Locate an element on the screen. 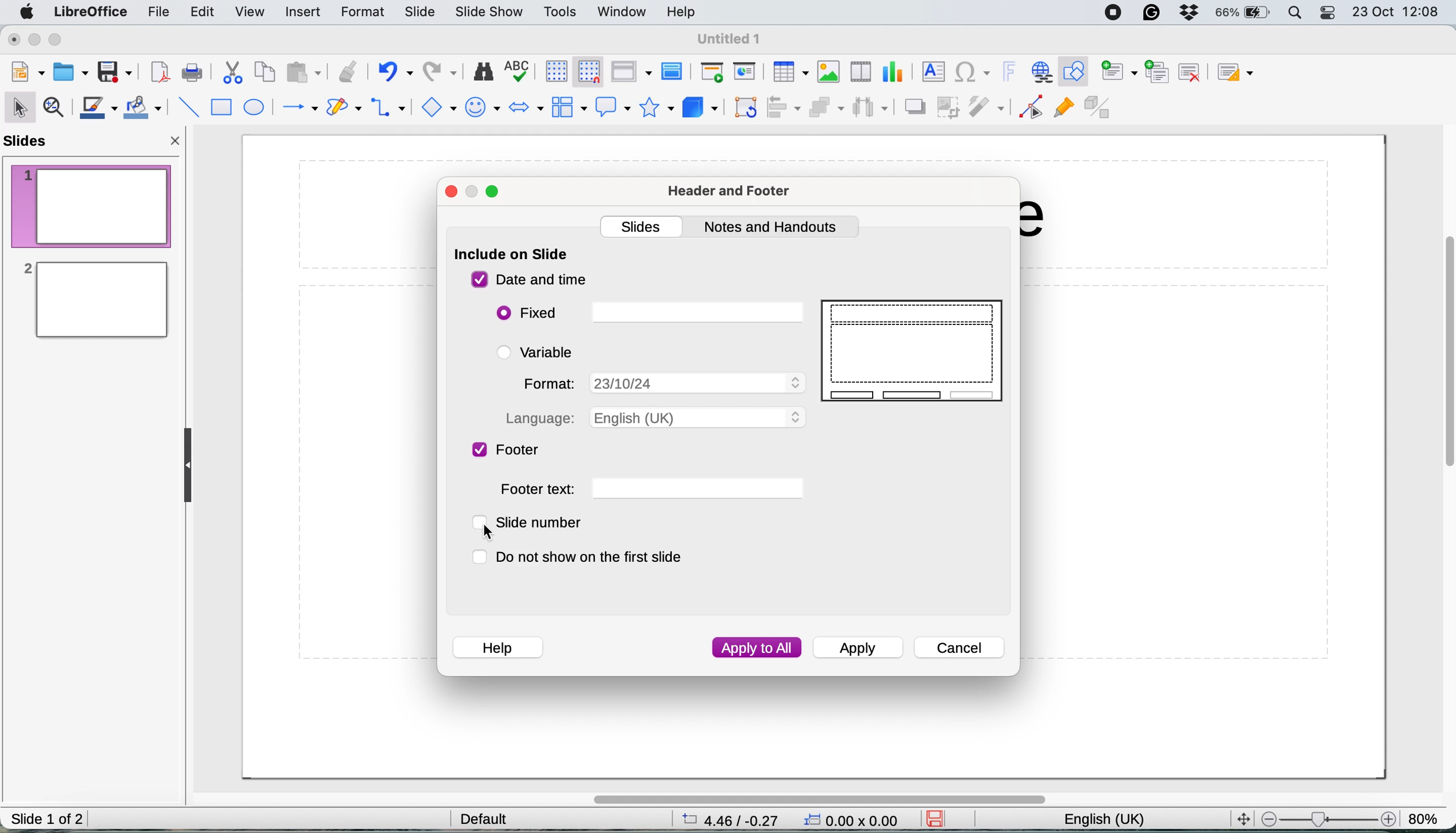  notes and handouts is located at coordinates (775, 227).